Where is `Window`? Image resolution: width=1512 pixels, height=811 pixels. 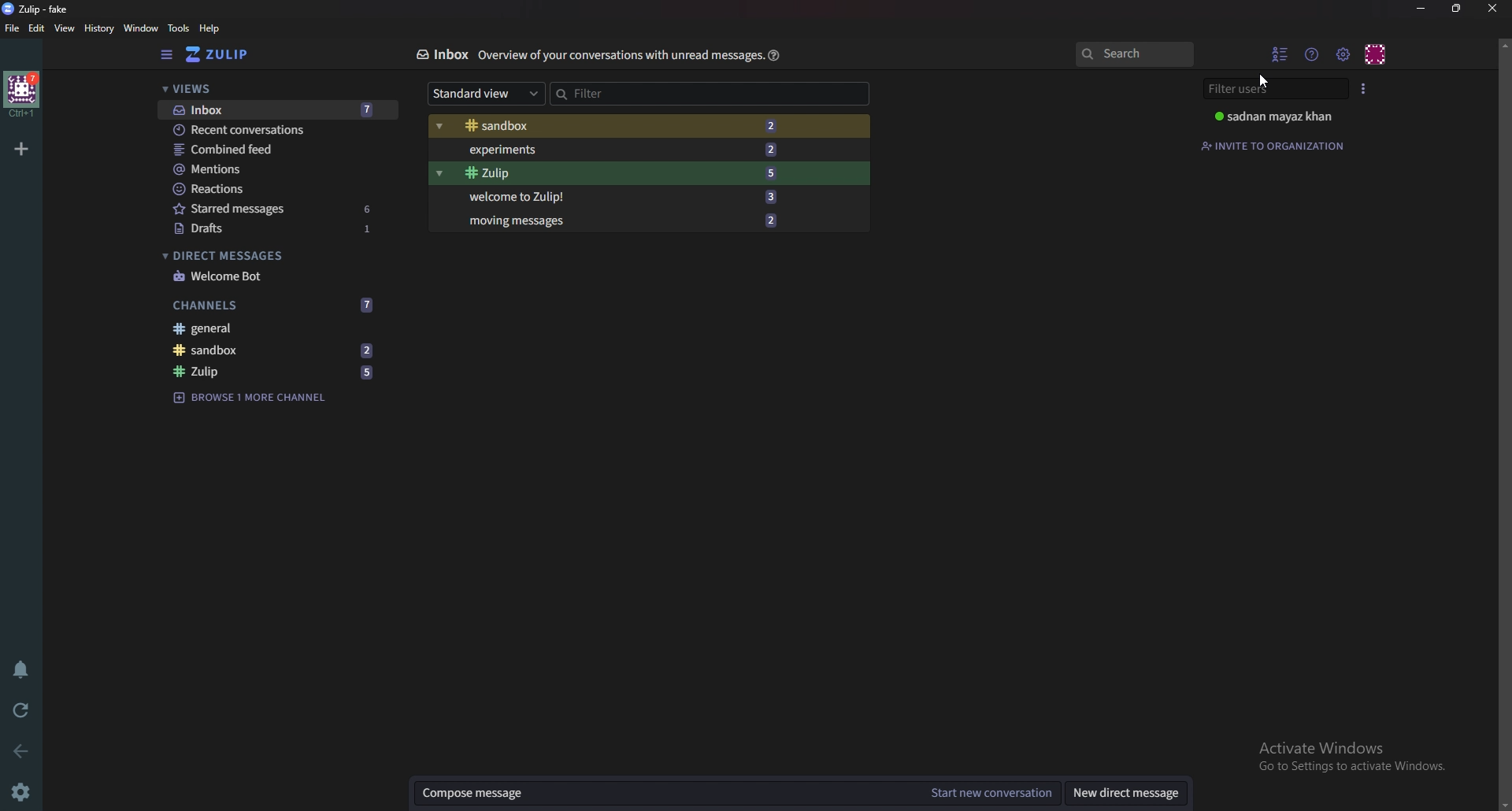 Window is located at coordinates (141, 28).